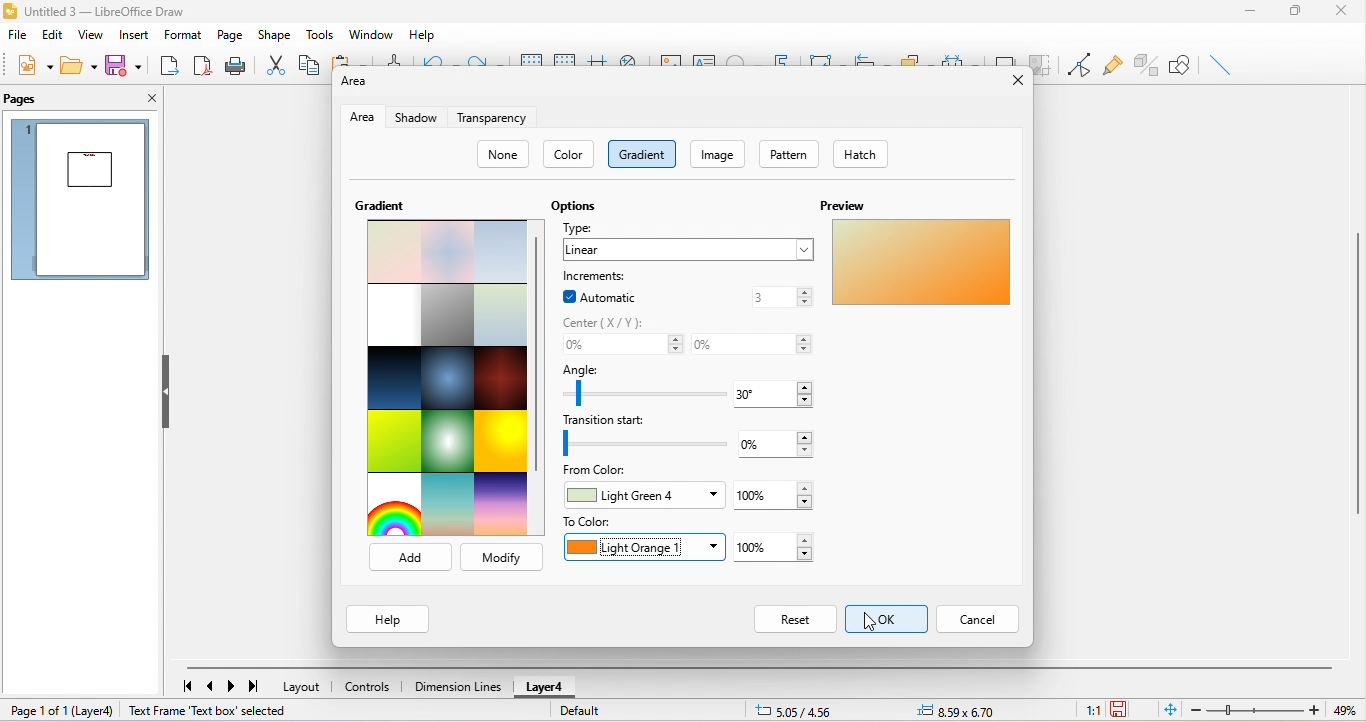 This screenshot has width=1366, height=722. Describe the element at coordinates (686, 250) in the screenshot. I see `linear` at that location.